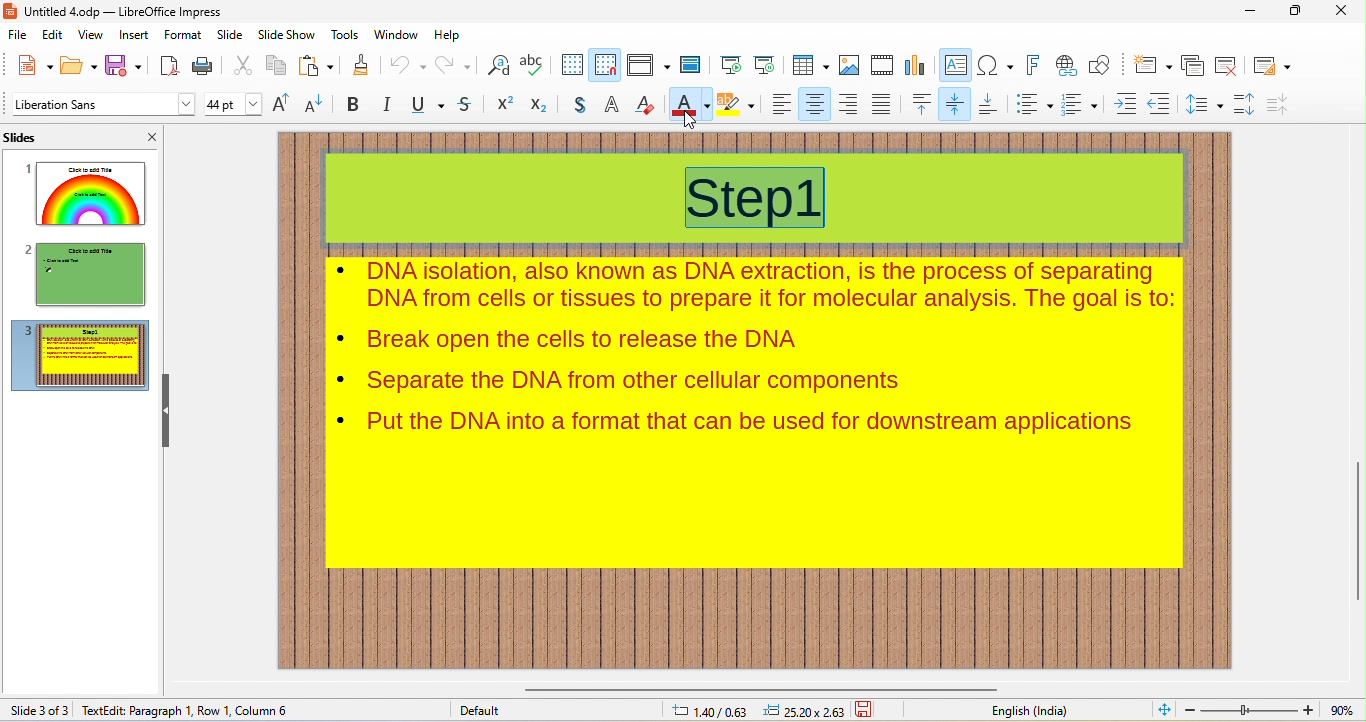 The width and height of the screenshot is (1366, 722). I want to click on chart, so click(915, 66).